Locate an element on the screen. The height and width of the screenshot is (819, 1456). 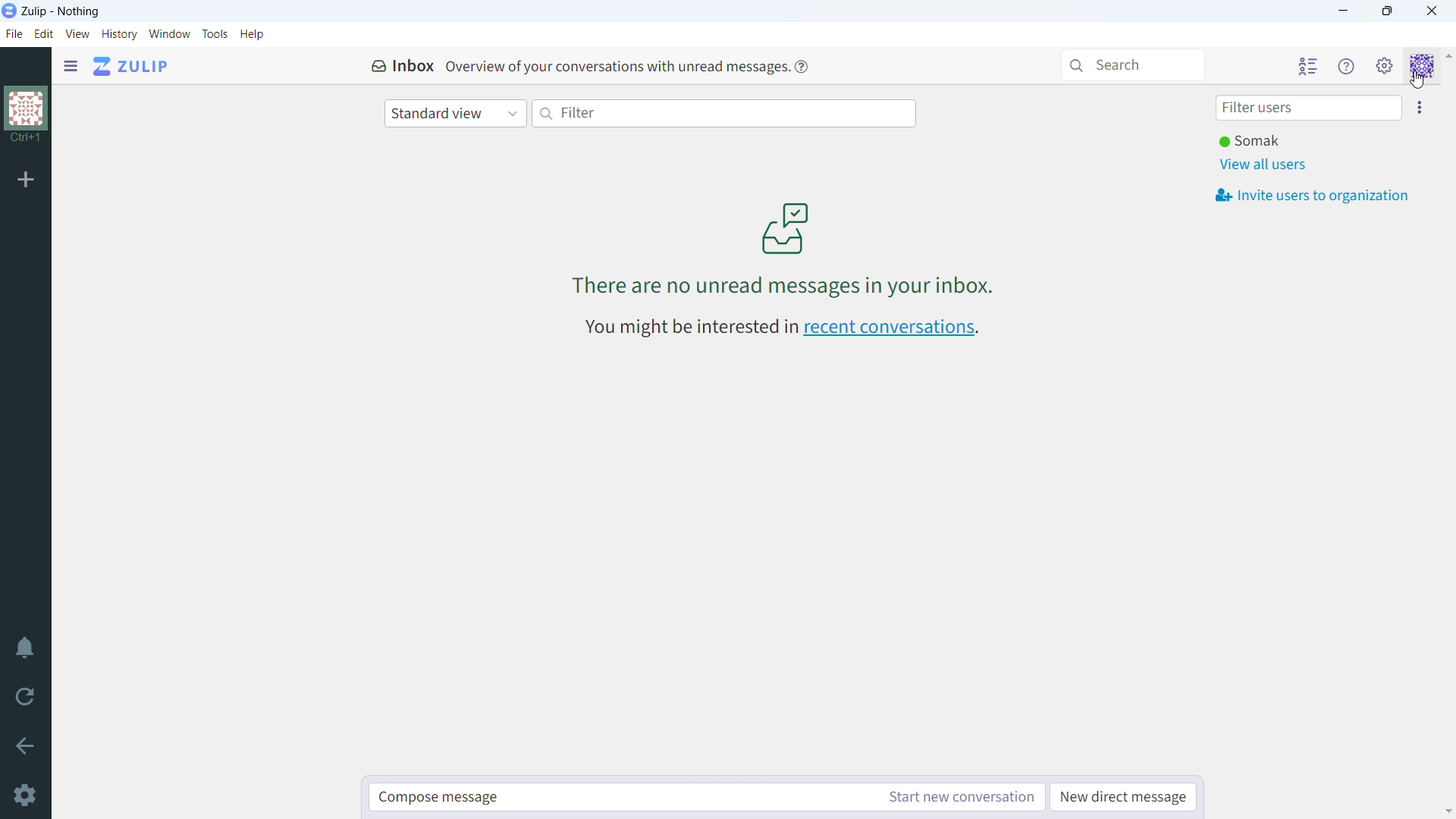
add organization is located at coordinates (26, 178).